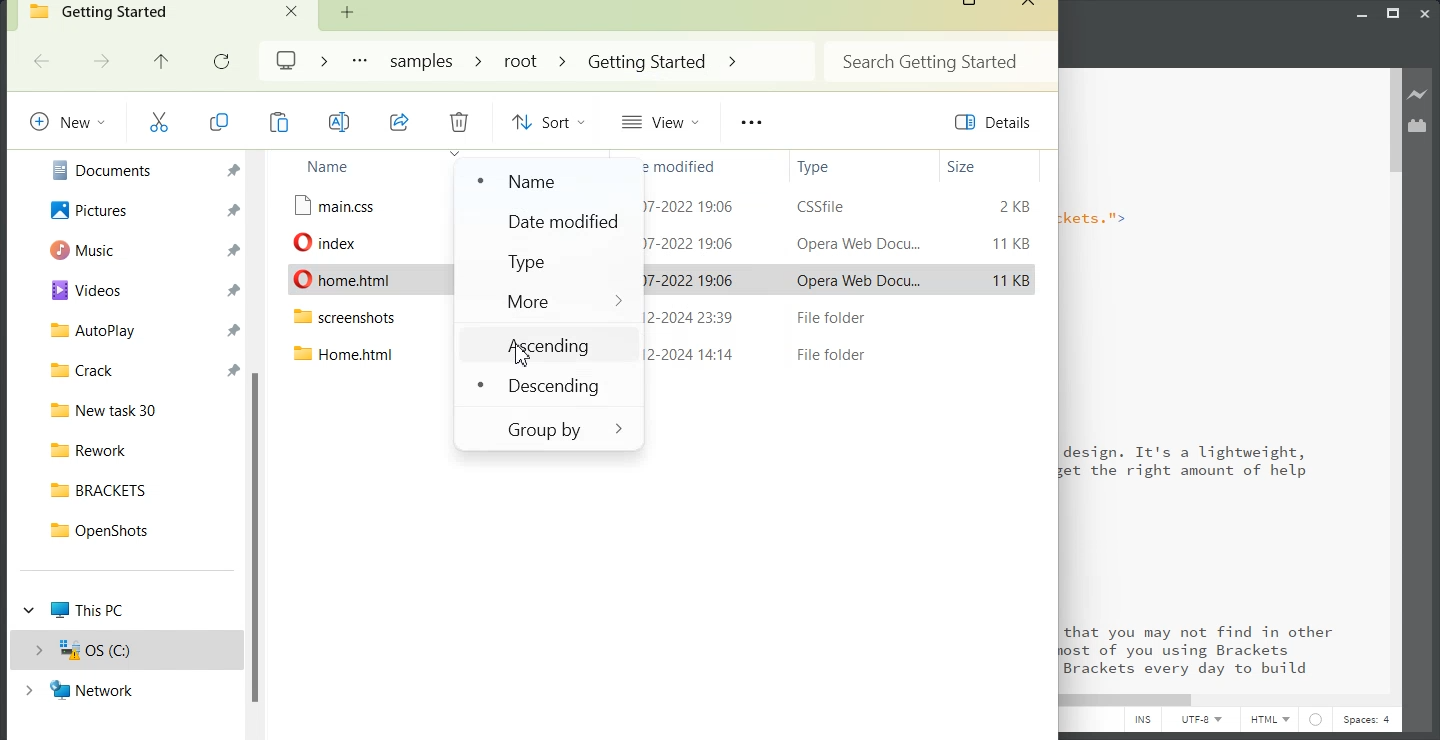 The width and height of the screenshot is (1440, 740). Describe the element at coordinates (551, 301) in the screenshot. I see `More` at that location.